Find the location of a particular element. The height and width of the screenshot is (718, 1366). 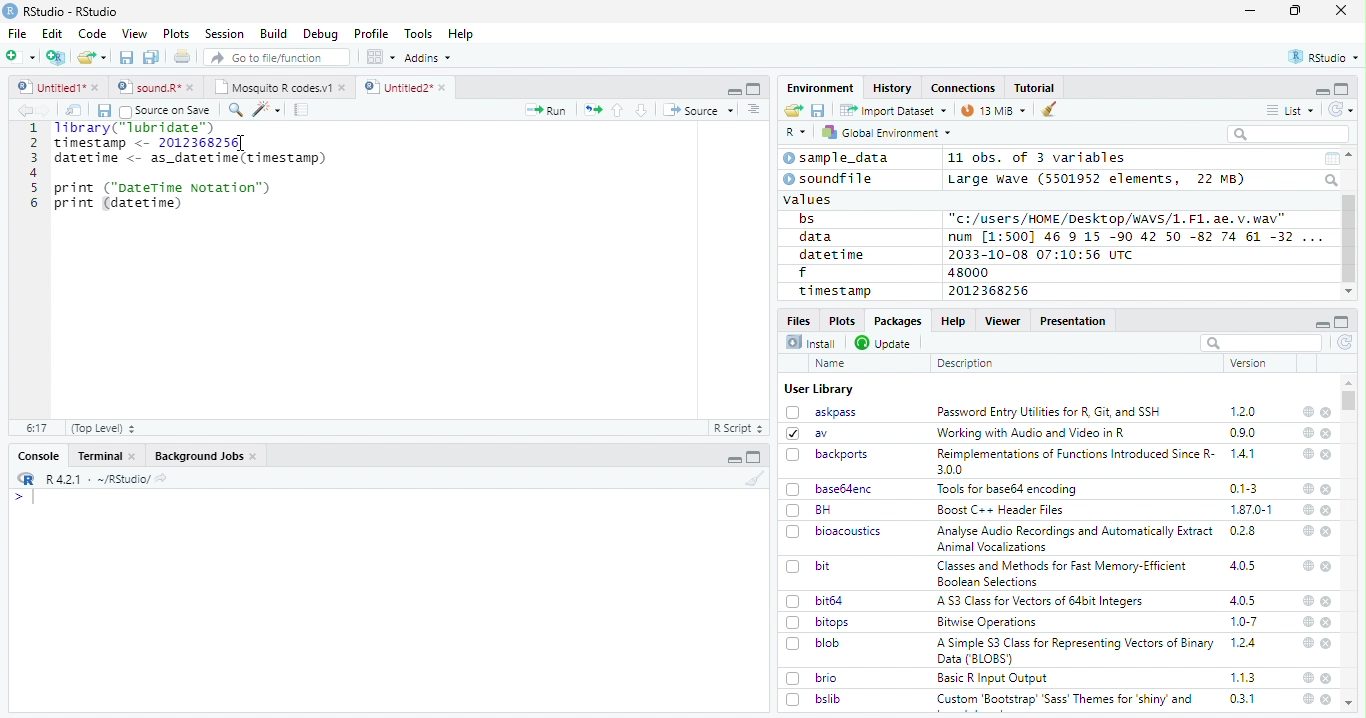

Tutorial is located at coordinates (1036, 88).